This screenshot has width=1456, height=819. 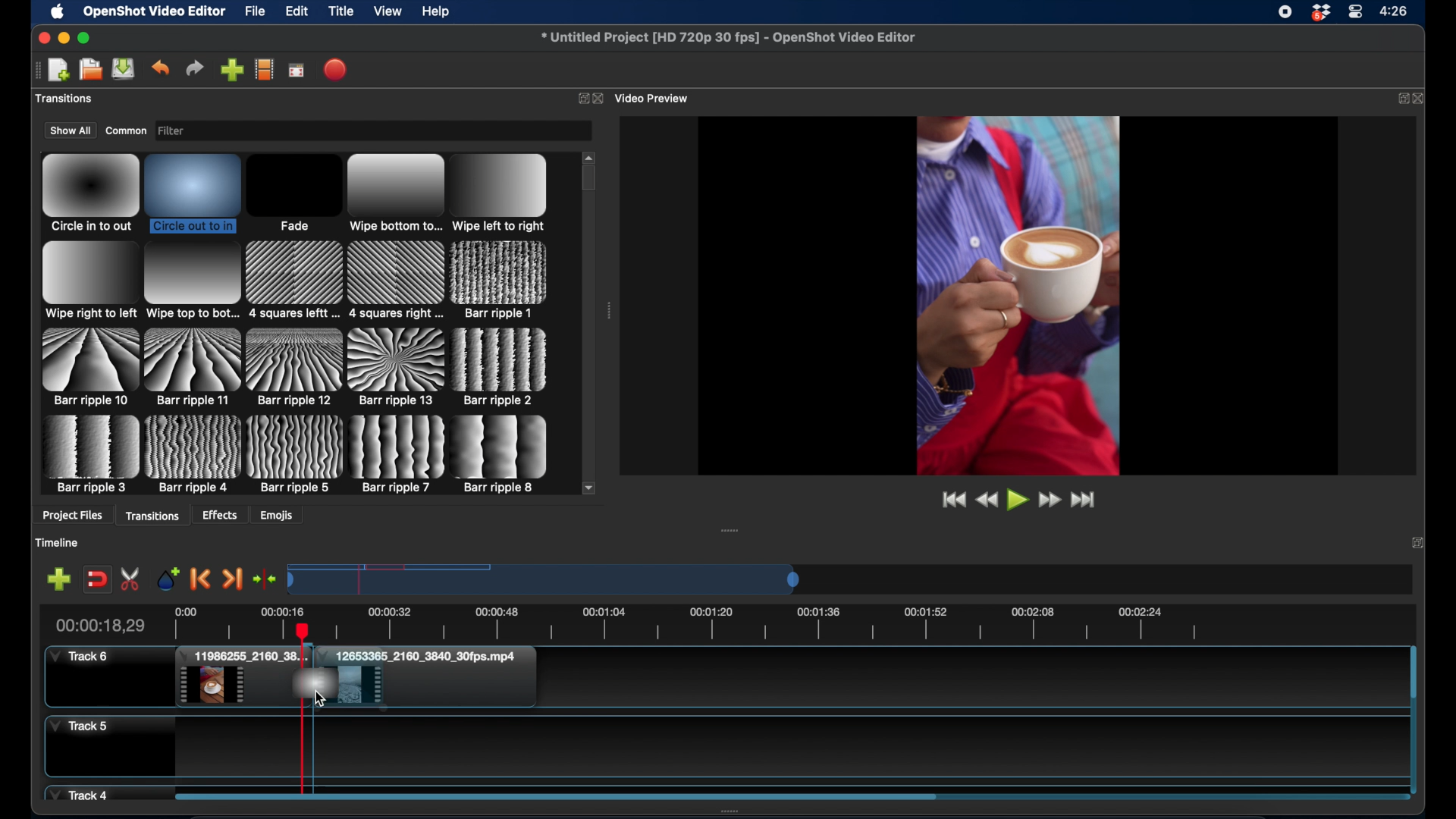 What do you see at coordinates (191, 281) in the screenshot?
I see `transition` at bounding box center [191, 281].